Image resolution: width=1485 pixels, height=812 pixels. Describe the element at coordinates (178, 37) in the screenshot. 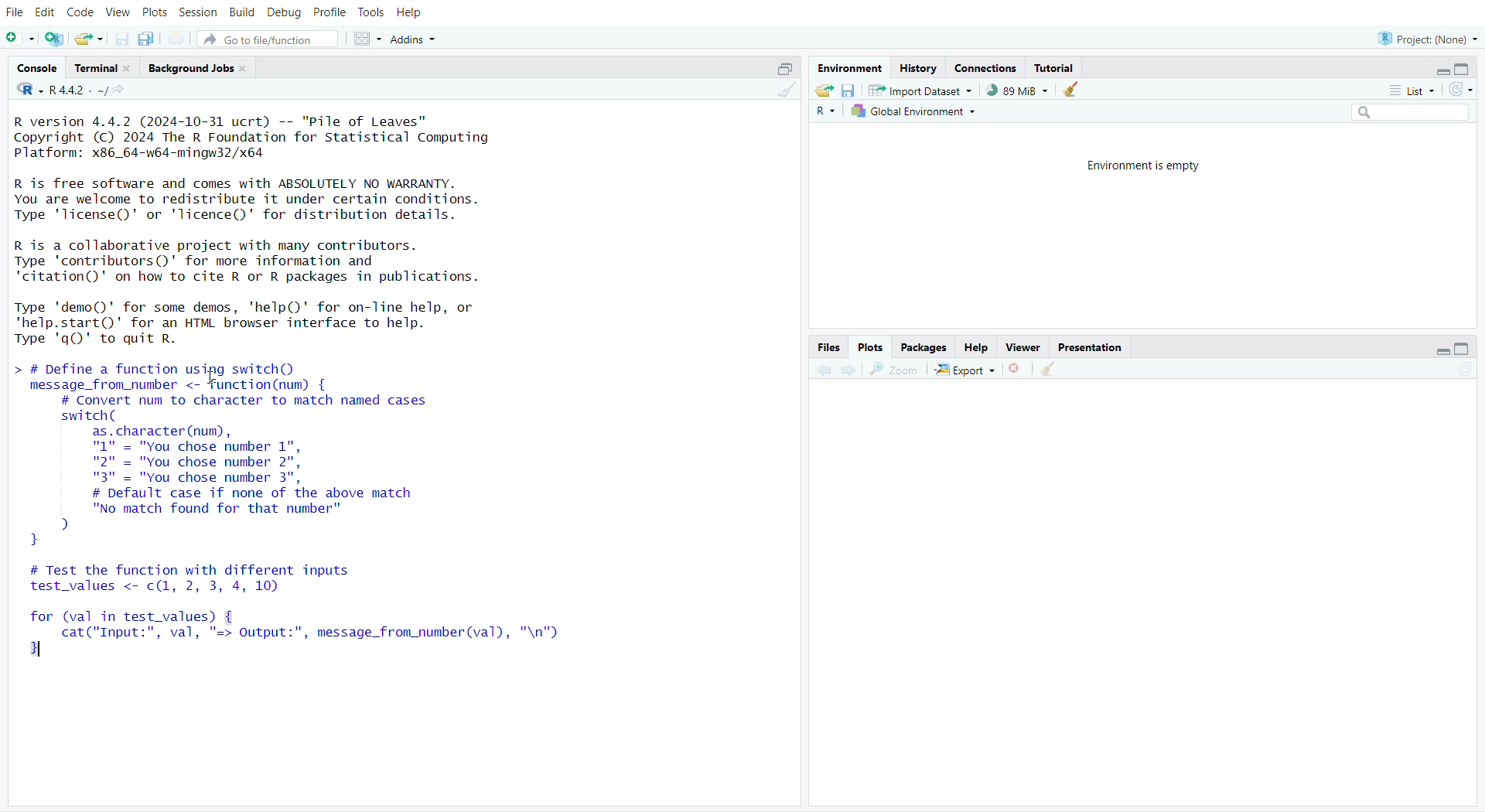

I see `Print the current file` at that location.